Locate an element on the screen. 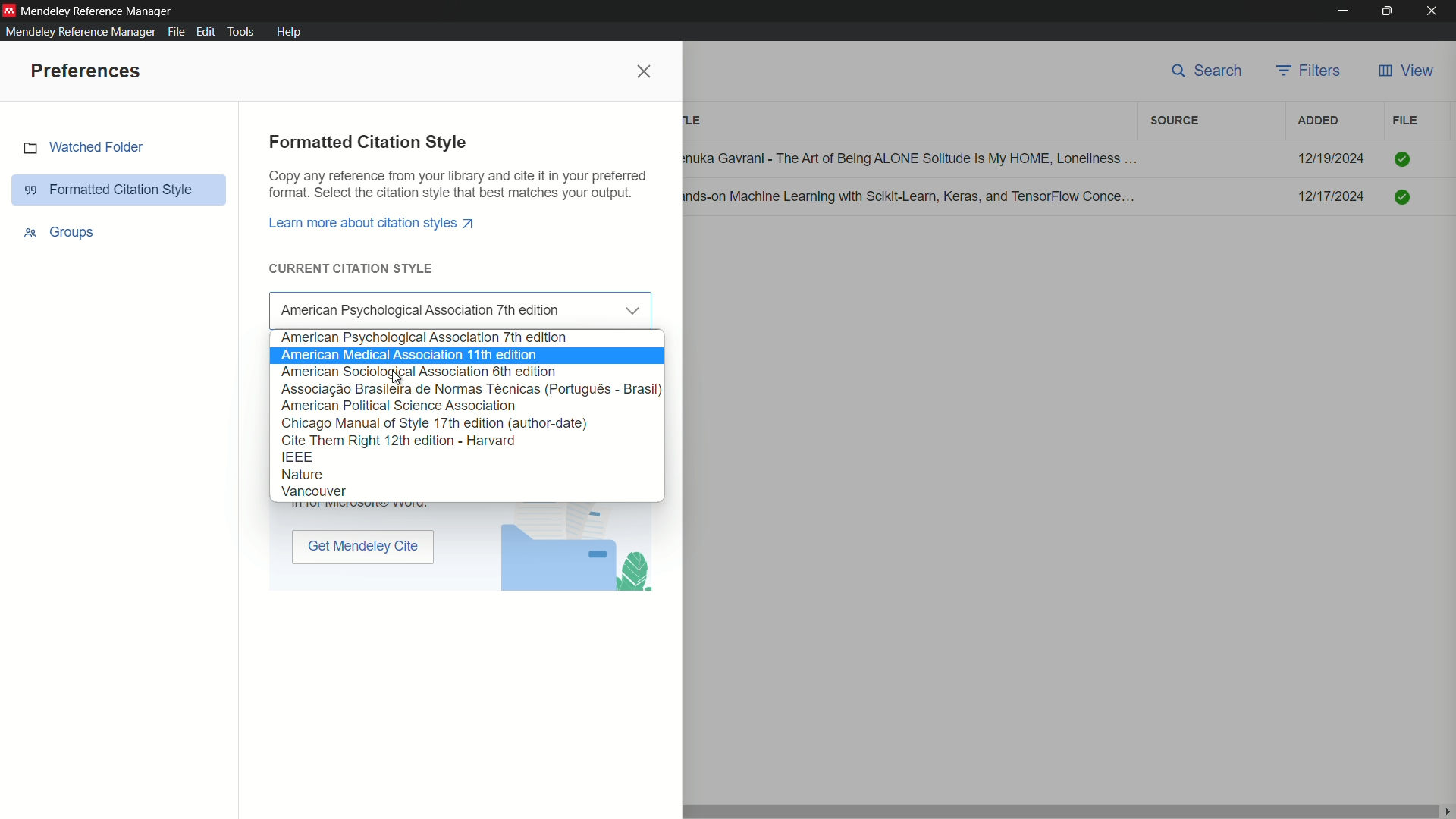 This screenshot has height=819, width=1456. minimize is located at coordinates (1342, 11).